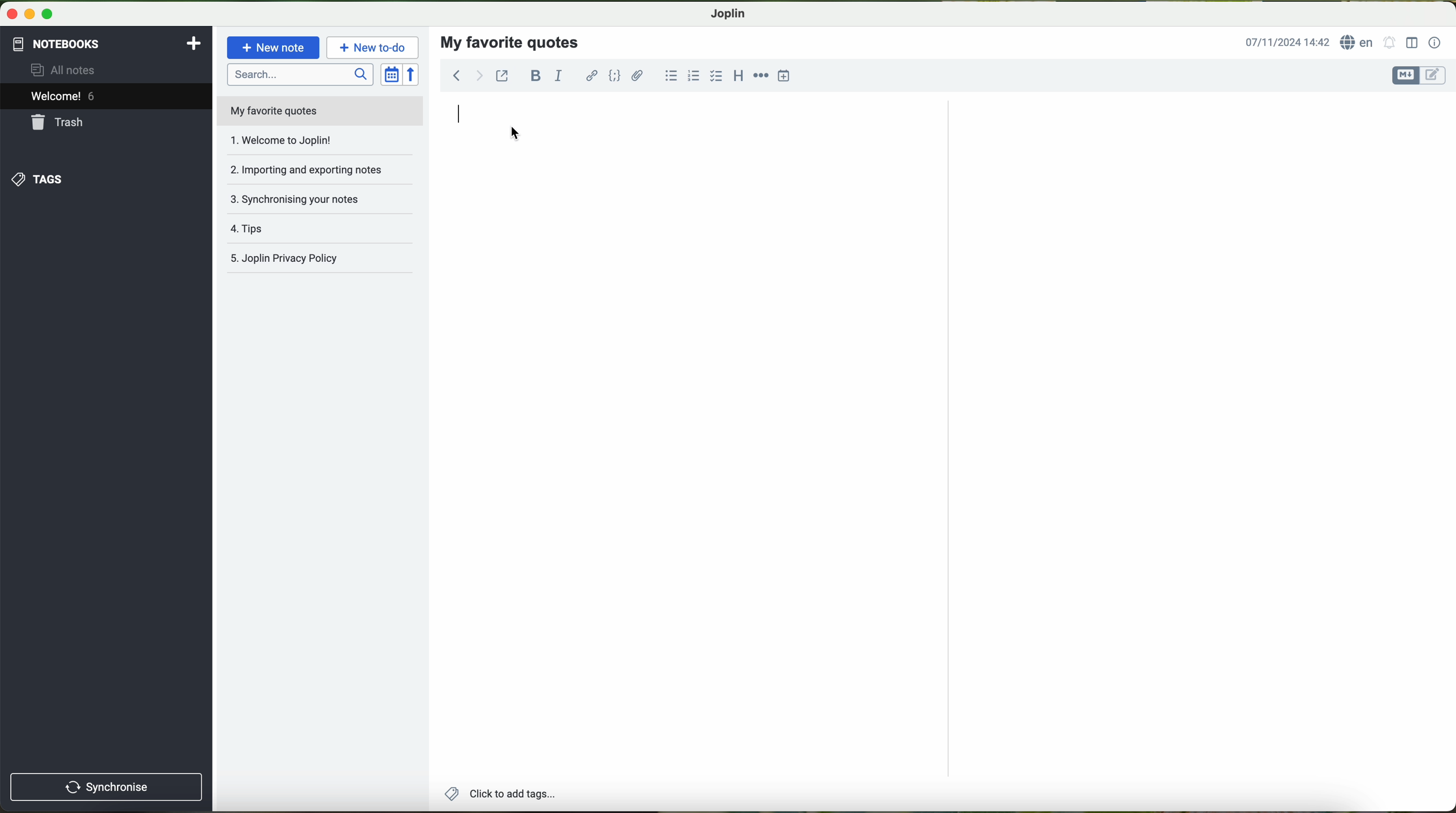 This screenshot has height=813, width=1456. What do you see at coordinates (616, 77) in the screenshot?
I see `code` at bounding box center [616, 77].